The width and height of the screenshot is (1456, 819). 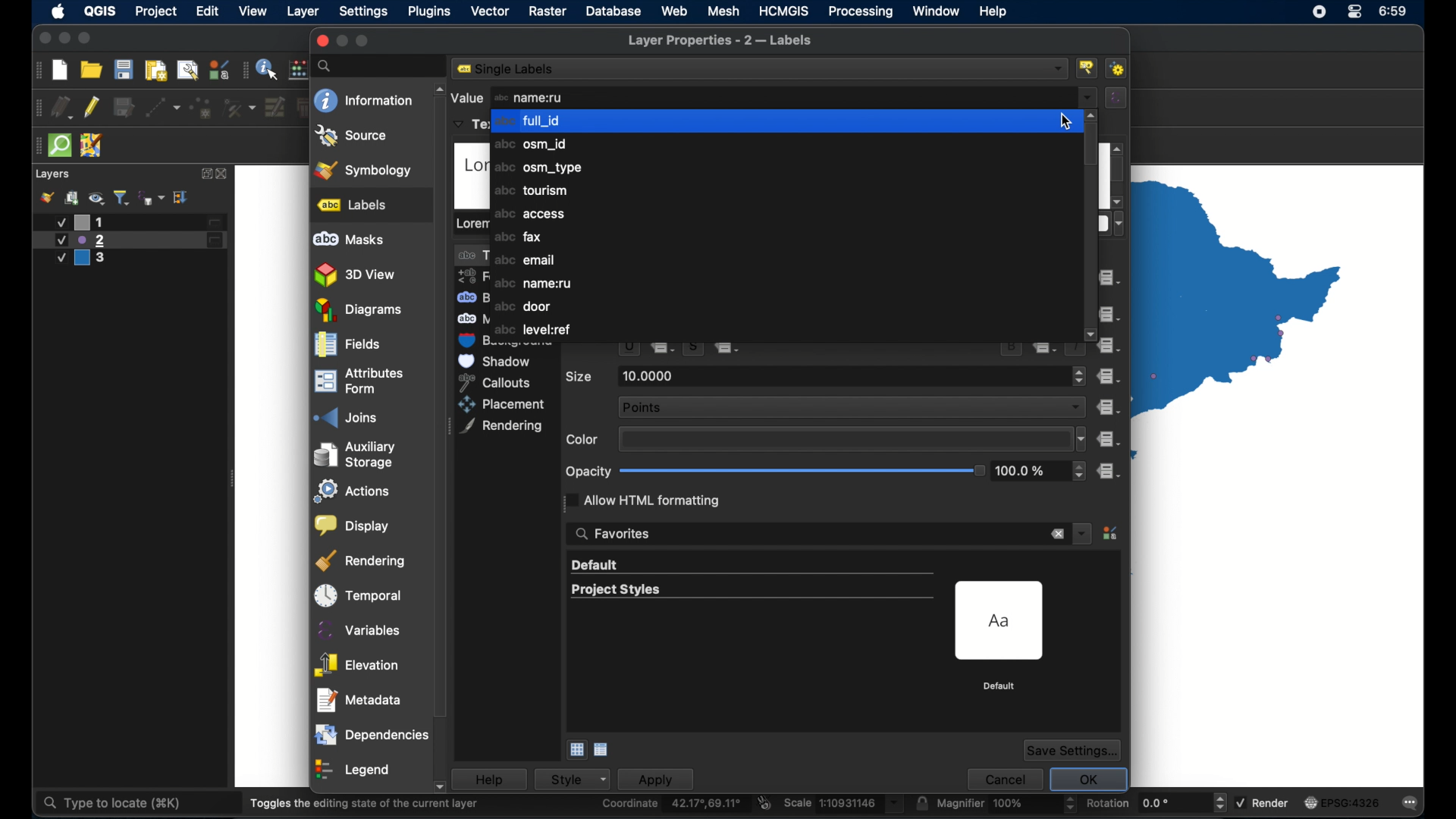 What do you see at coordinates (124, 69) in the screenshot?
I see `save` at bounding box center [124, 69].